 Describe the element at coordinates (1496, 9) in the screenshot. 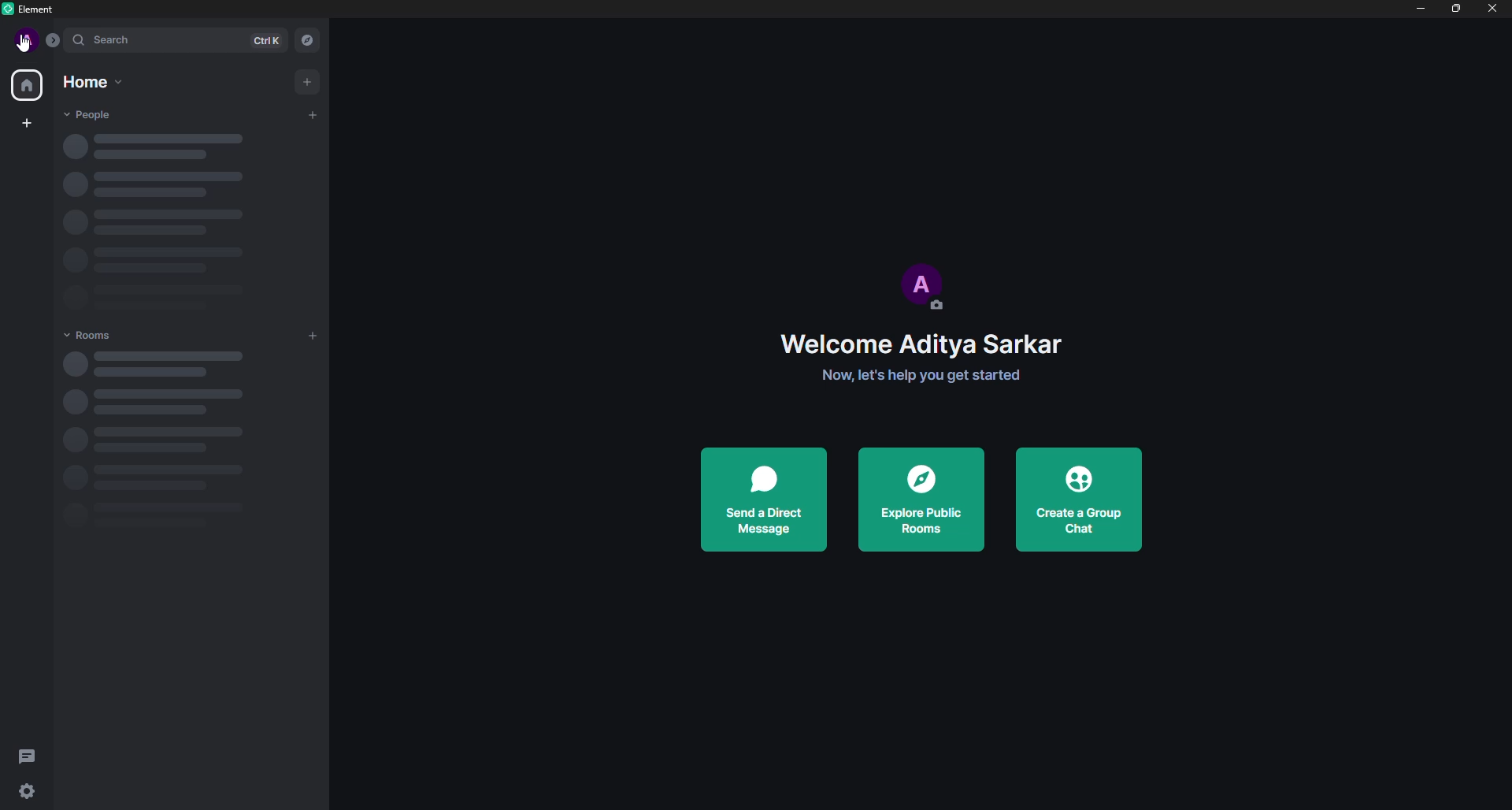

I see `close` at that location.